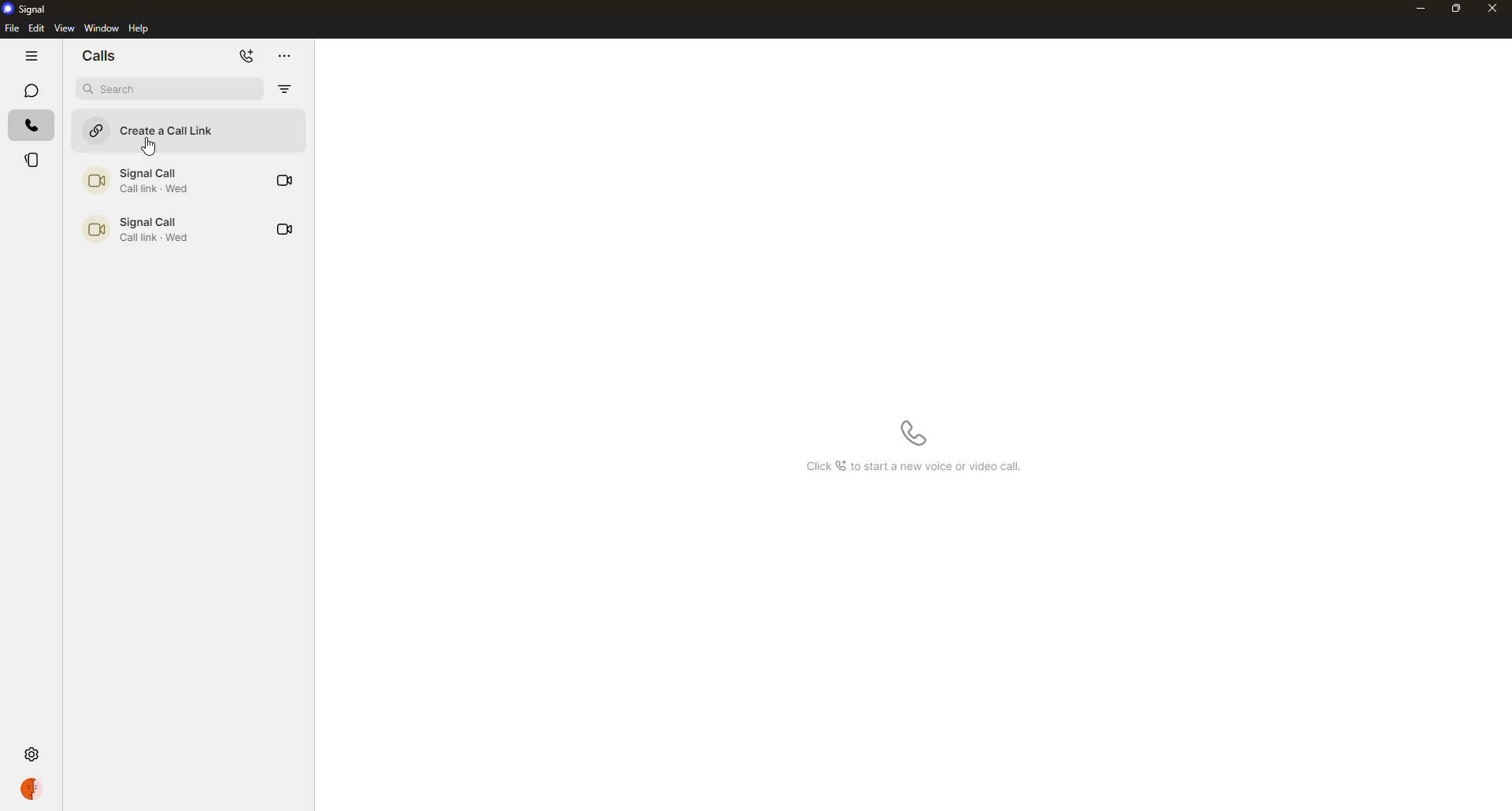  Describe the element at coordinates (146, 181) in the screenshot. I see `call link` at that location.